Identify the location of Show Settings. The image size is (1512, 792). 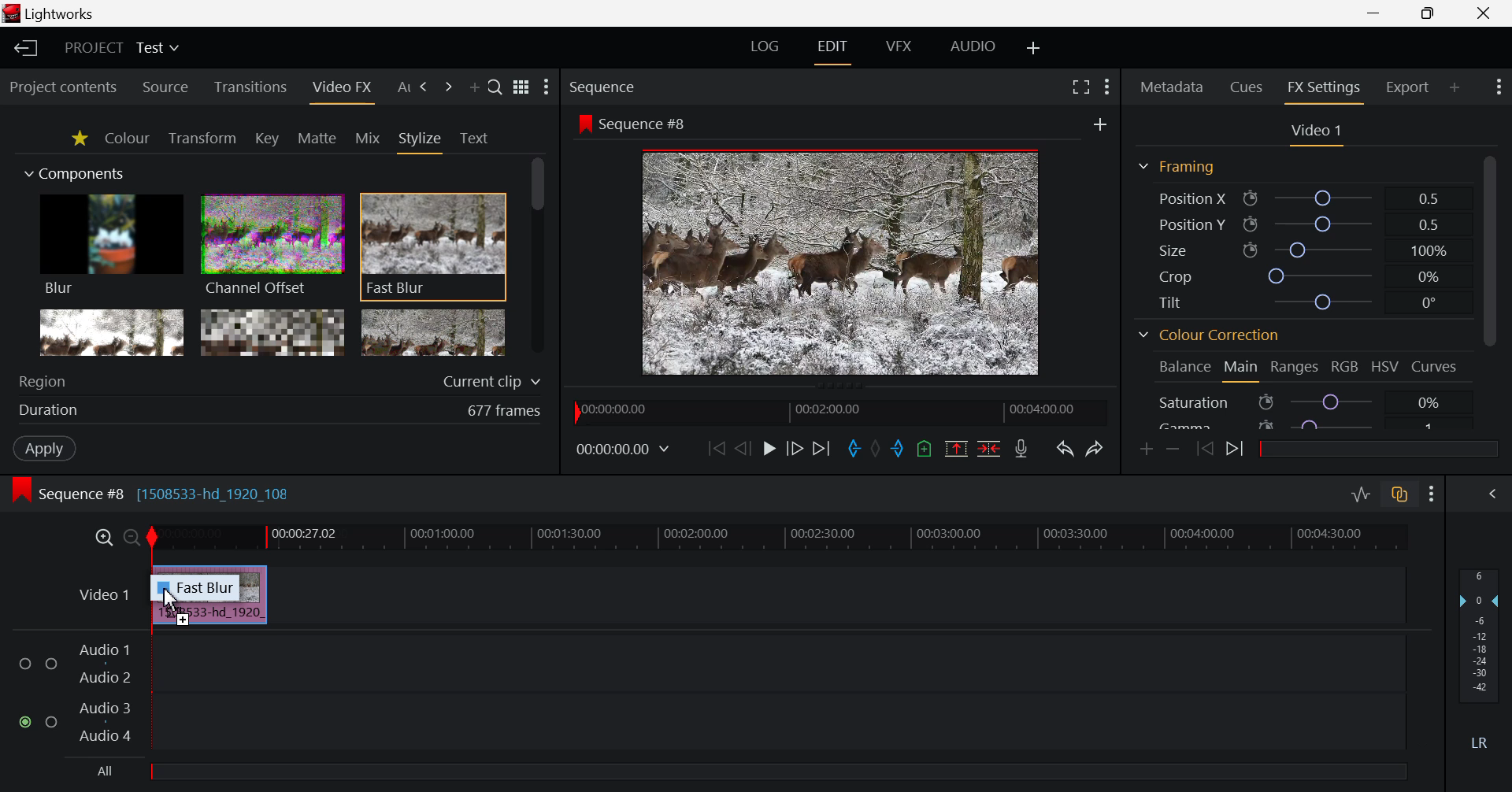
(1499, 87).